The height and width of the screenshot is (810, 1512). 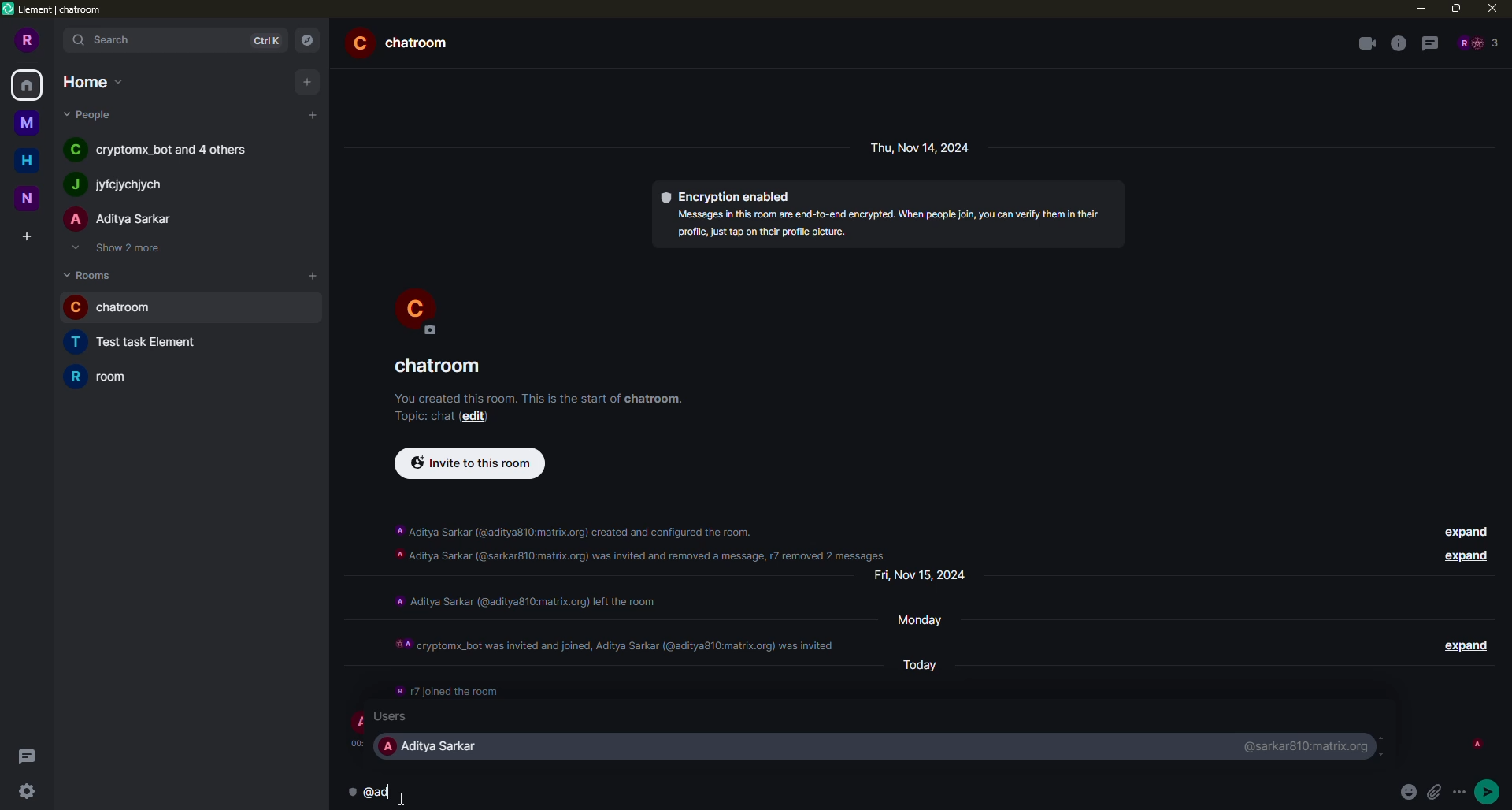 What do you see at coordinates (24, 236) in the screenshot?
I see `create space` at bounding box center [24, 236].